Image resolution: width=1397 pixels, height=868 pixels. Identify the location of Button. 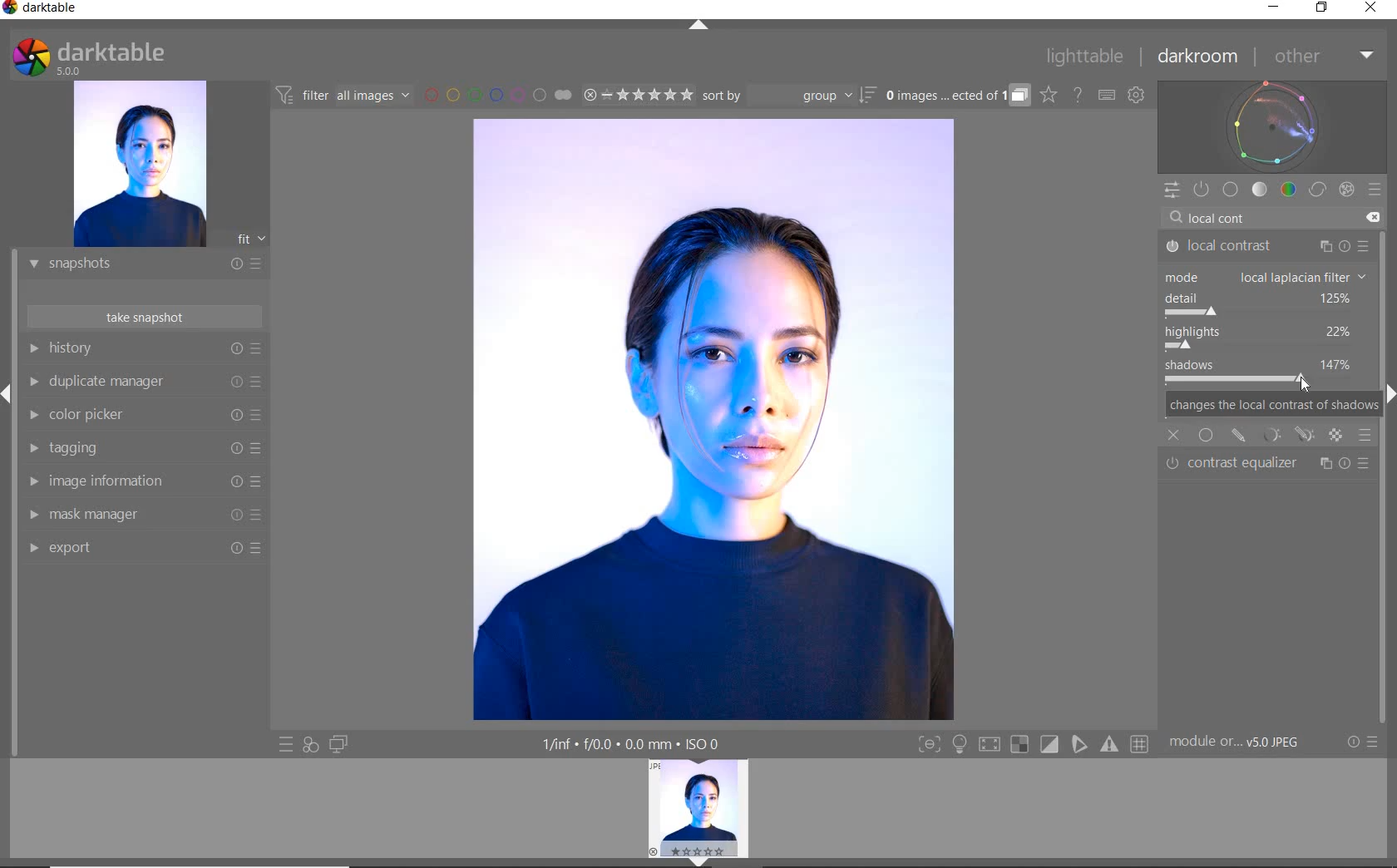
(1111, 744).